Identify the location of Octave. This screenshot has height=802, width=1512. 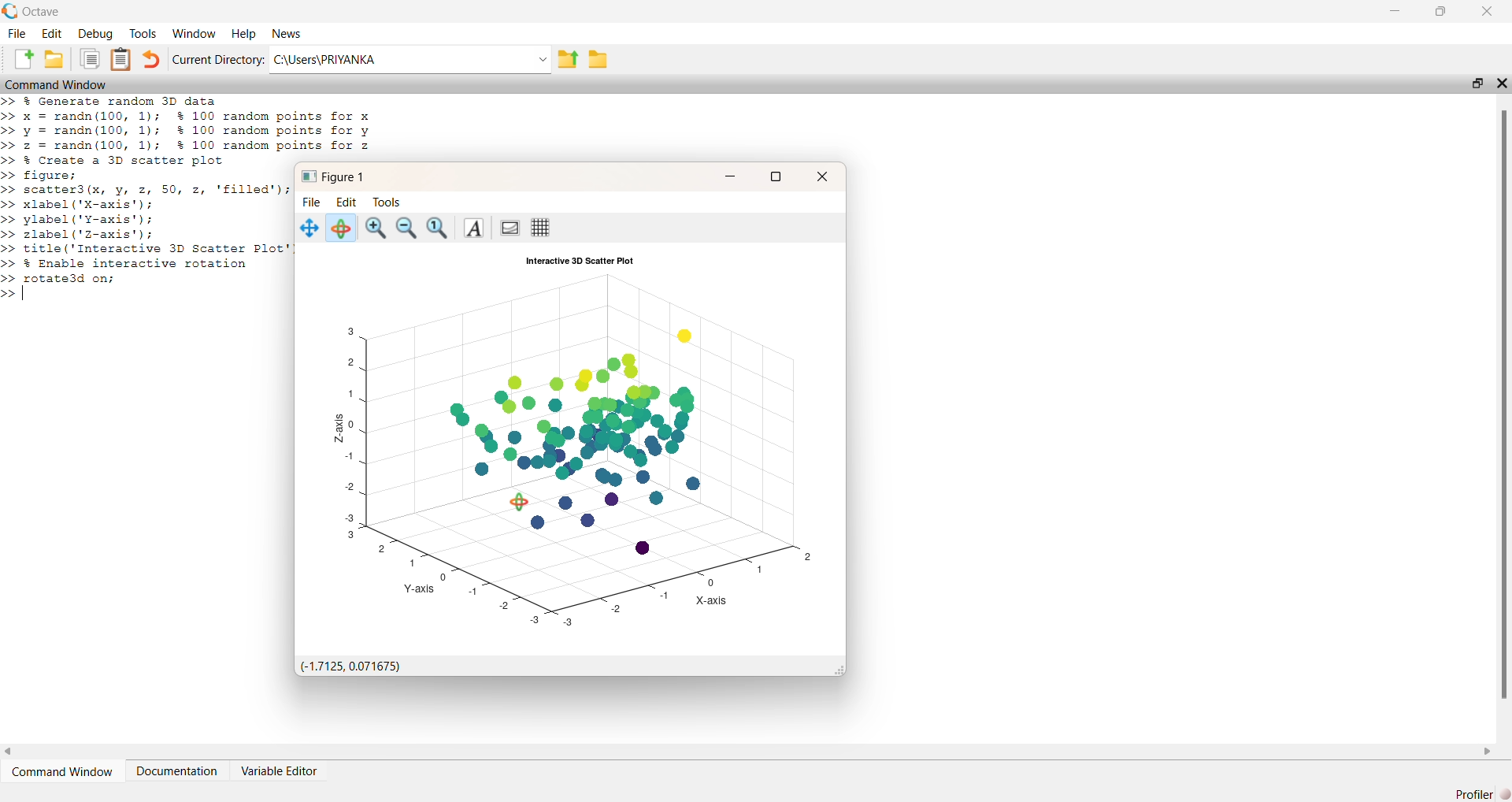
(41, 12).